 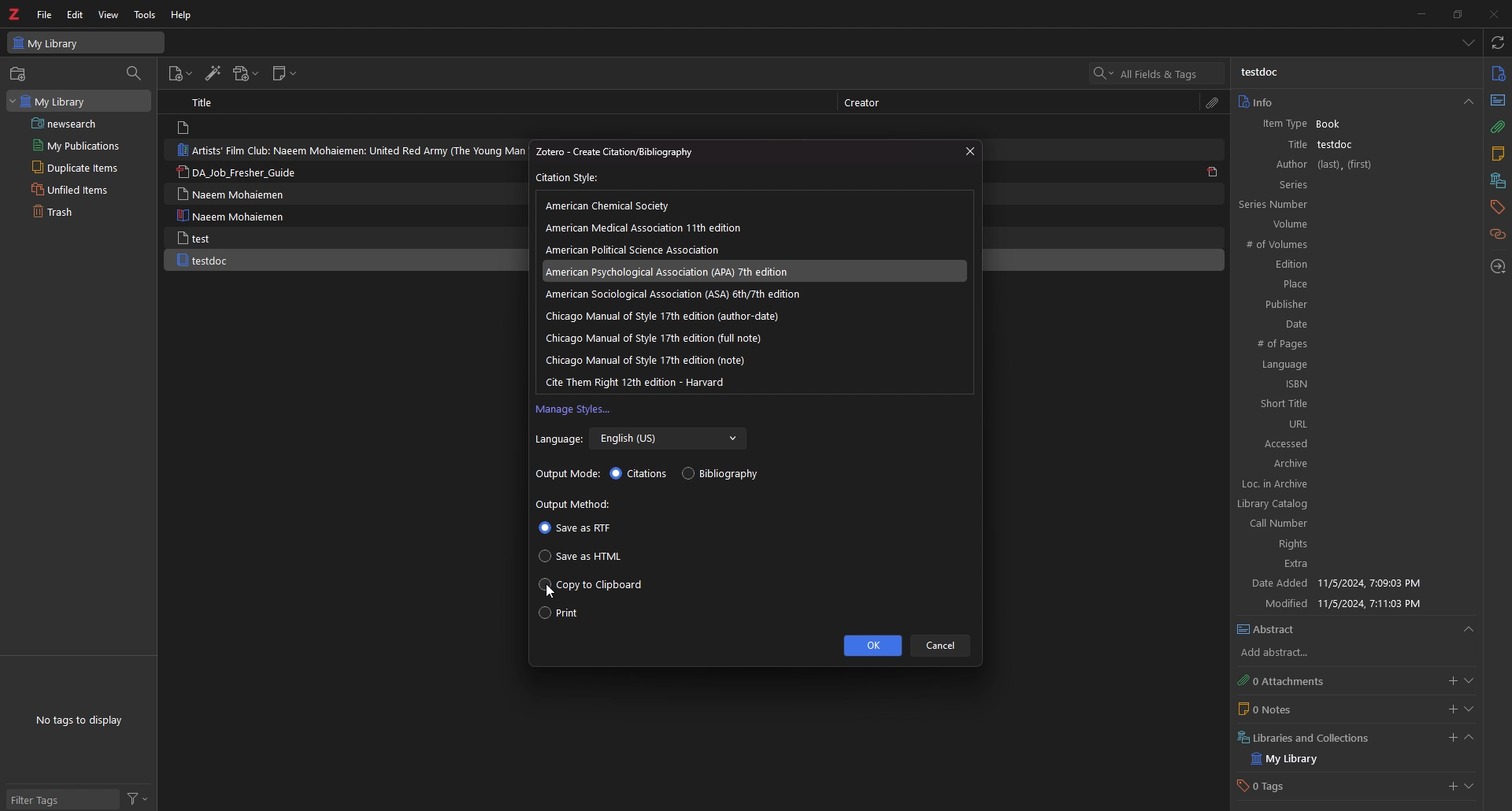 What do you see at coordinates (569, 475) in the screenshot?
I see `Output mode:` at bounding box center [569, 475].